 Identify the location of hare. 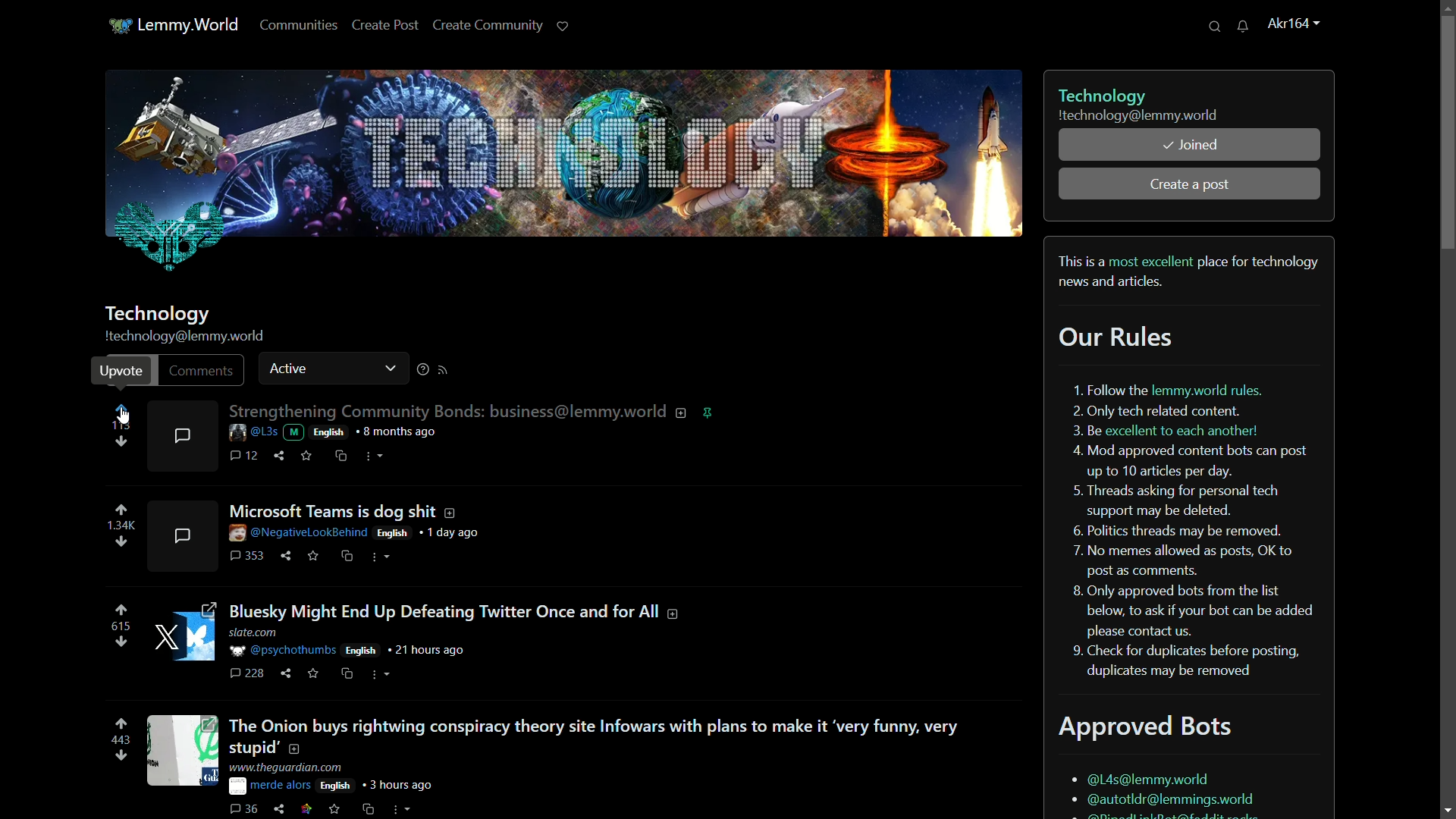
(287, 673).